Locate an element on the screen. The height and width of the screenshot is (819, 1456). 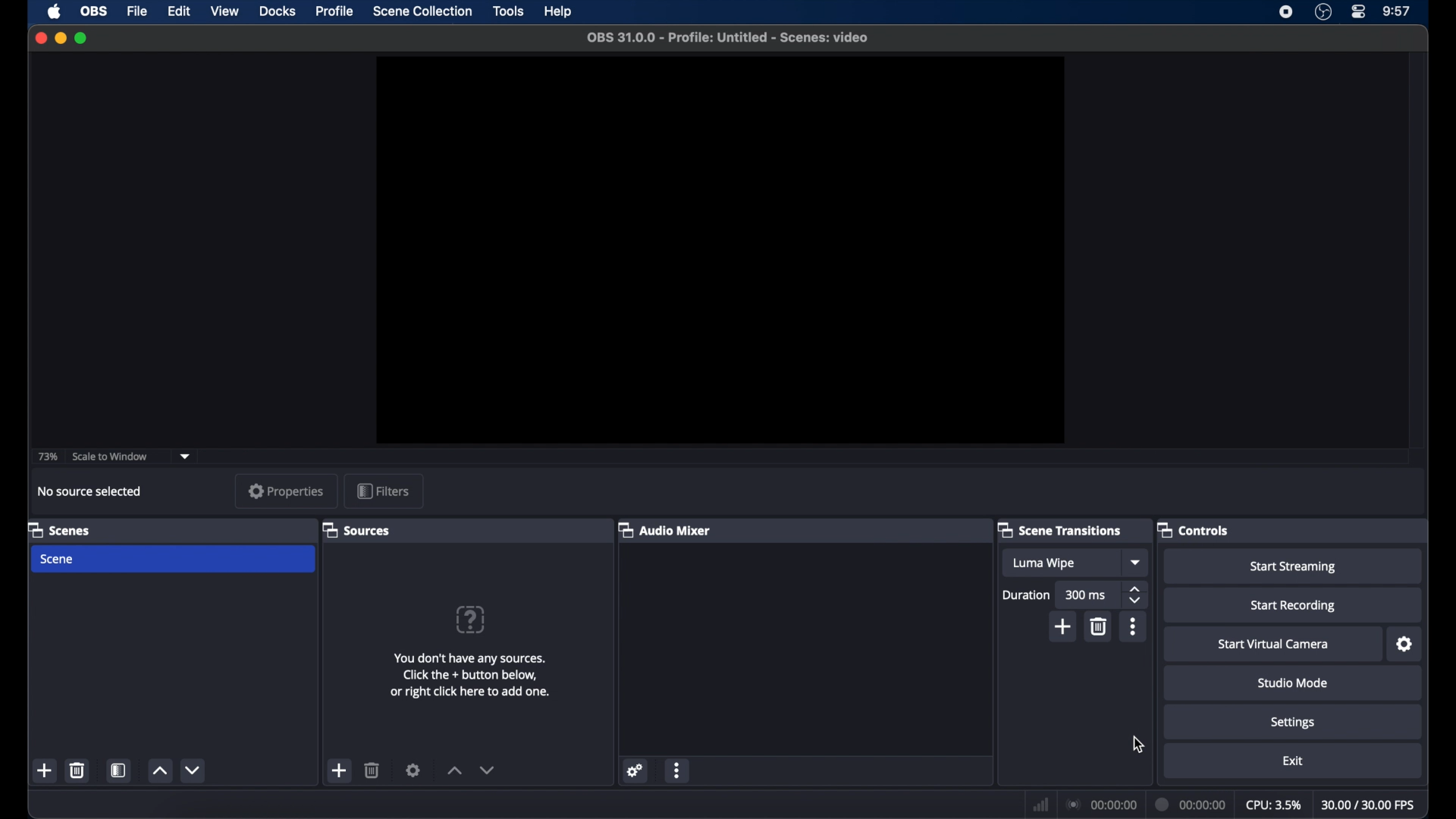
dropdown is located at coordinates (185, 457).